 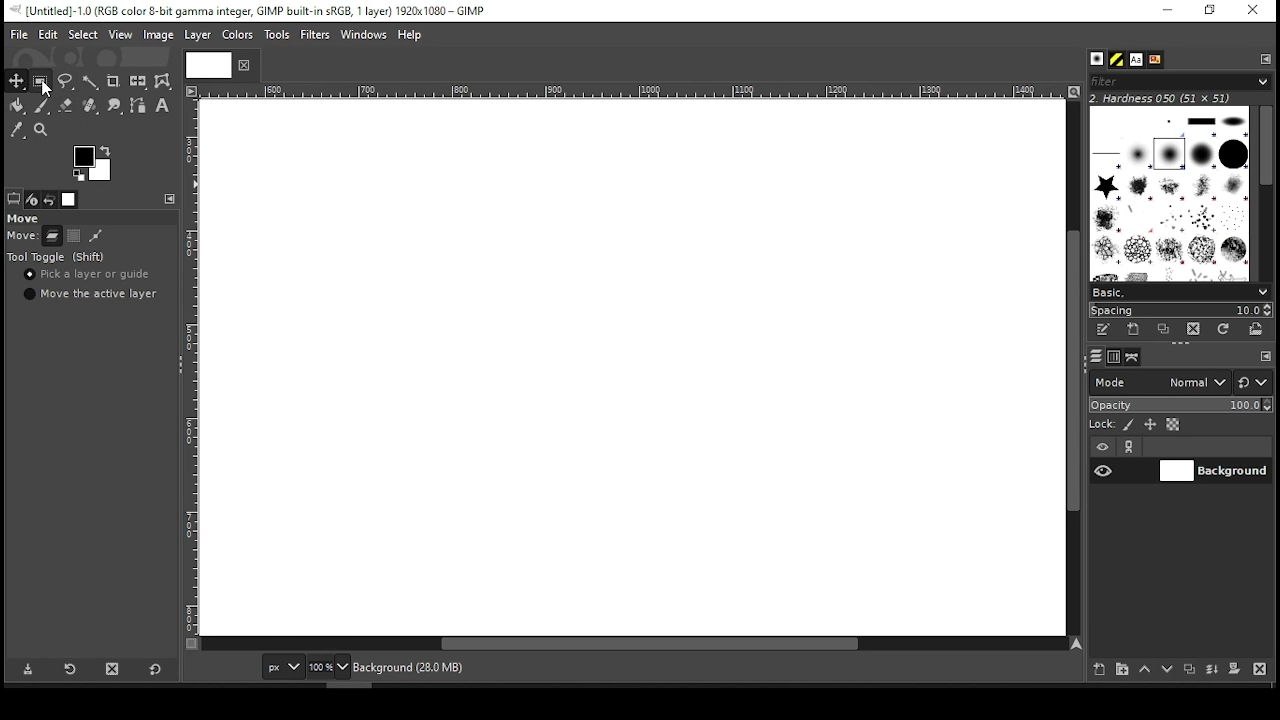 What do you see at coordinates (1196, 330) in the screenshot?
I see `delete brush` at bounding box center [1196, 330].